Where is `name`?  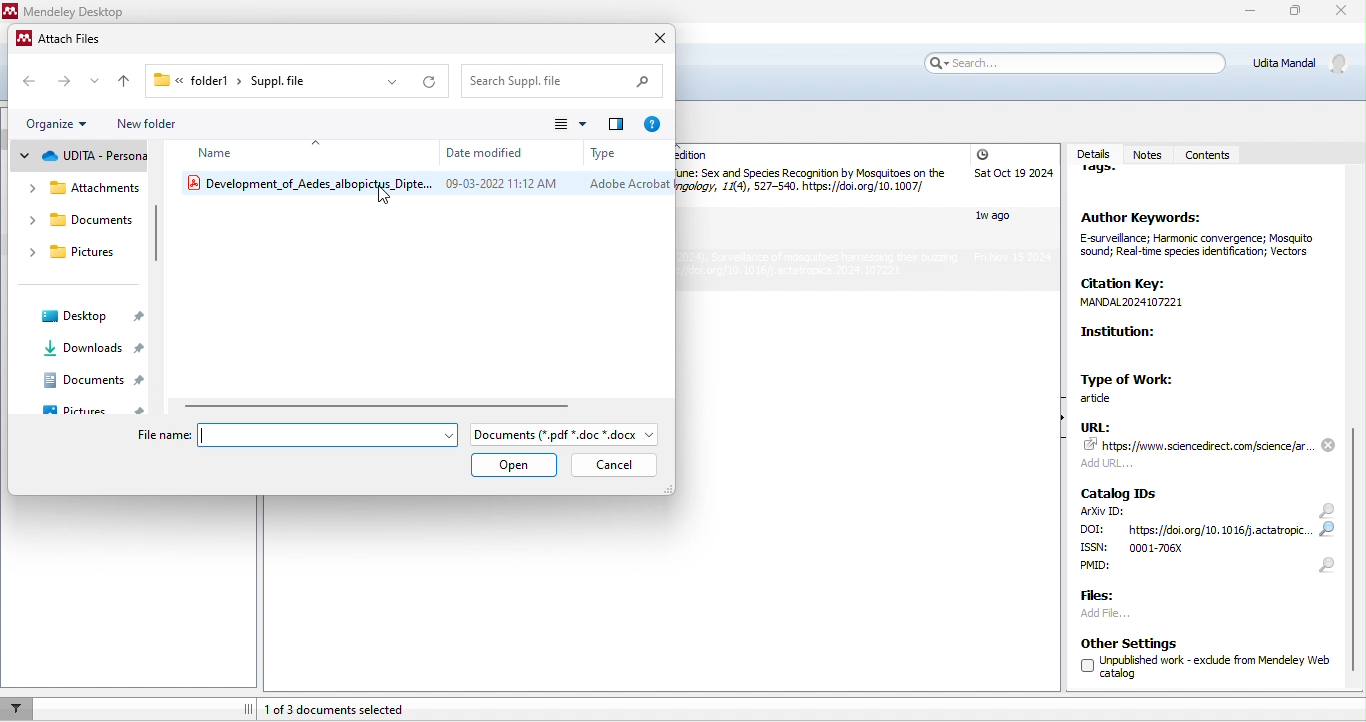 name is located at coordinates (218, 152).